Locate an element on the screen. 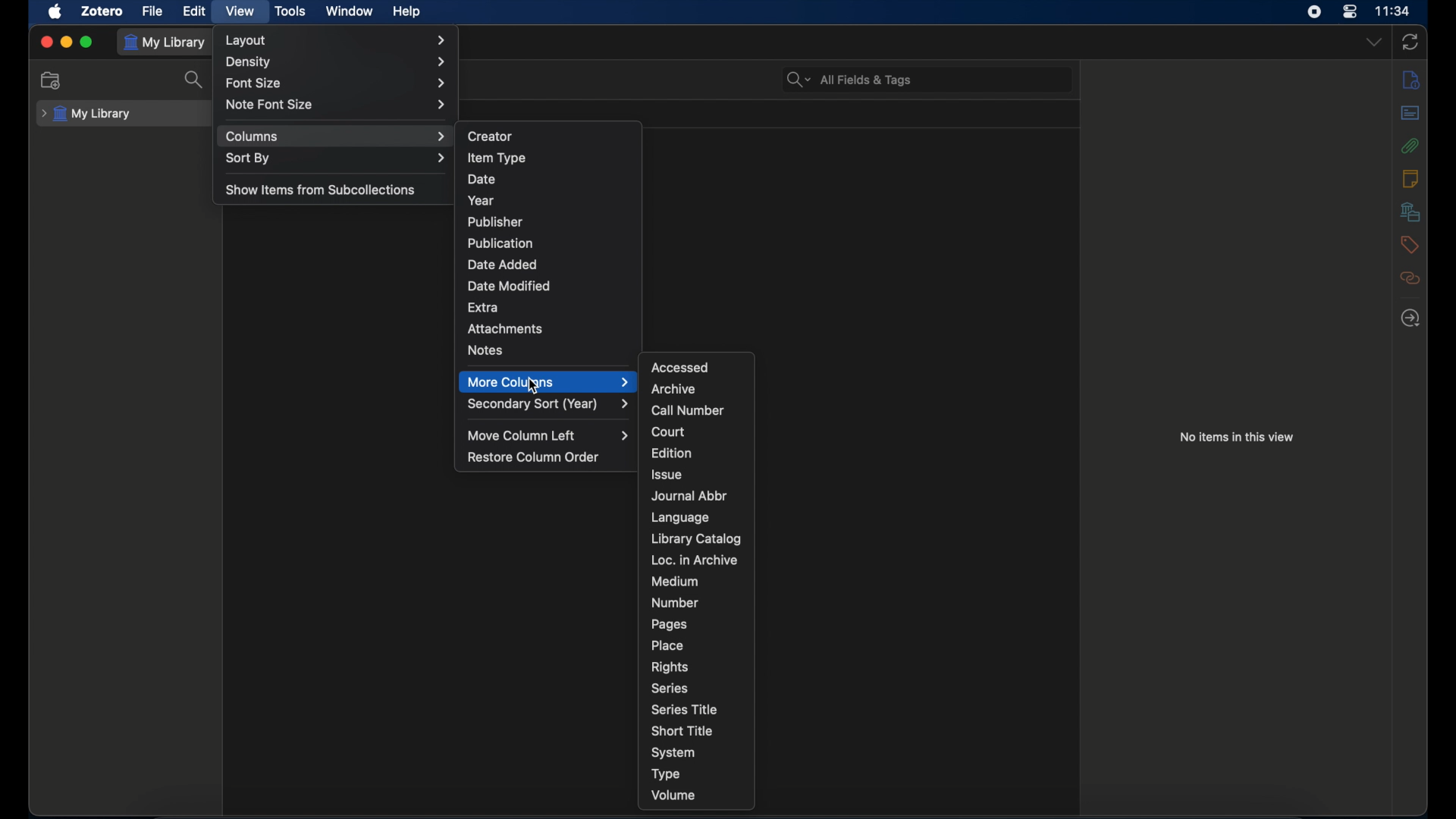  my library is located at coordinates (86, 114).